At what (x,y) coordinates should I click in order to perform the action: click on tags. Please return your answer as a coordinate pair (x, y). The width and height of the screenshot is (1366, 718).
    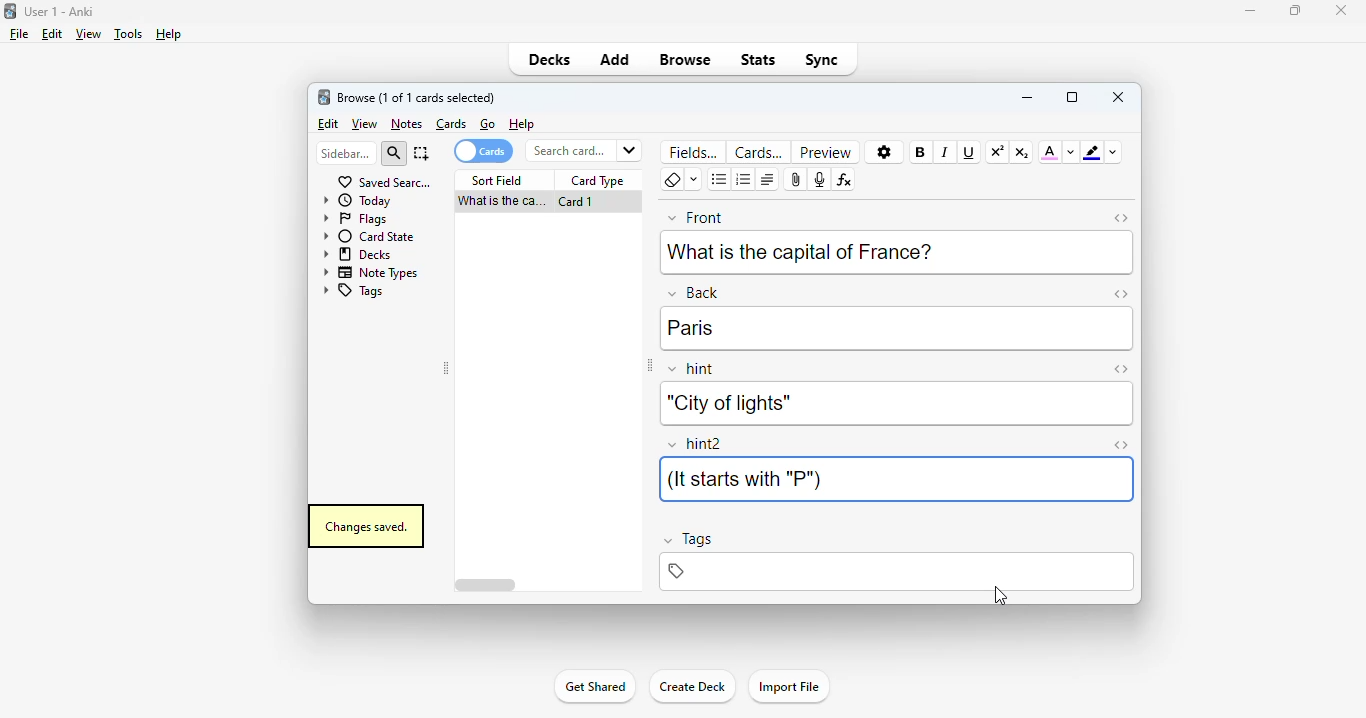
    Looking at the image, I should click on (895, 572).